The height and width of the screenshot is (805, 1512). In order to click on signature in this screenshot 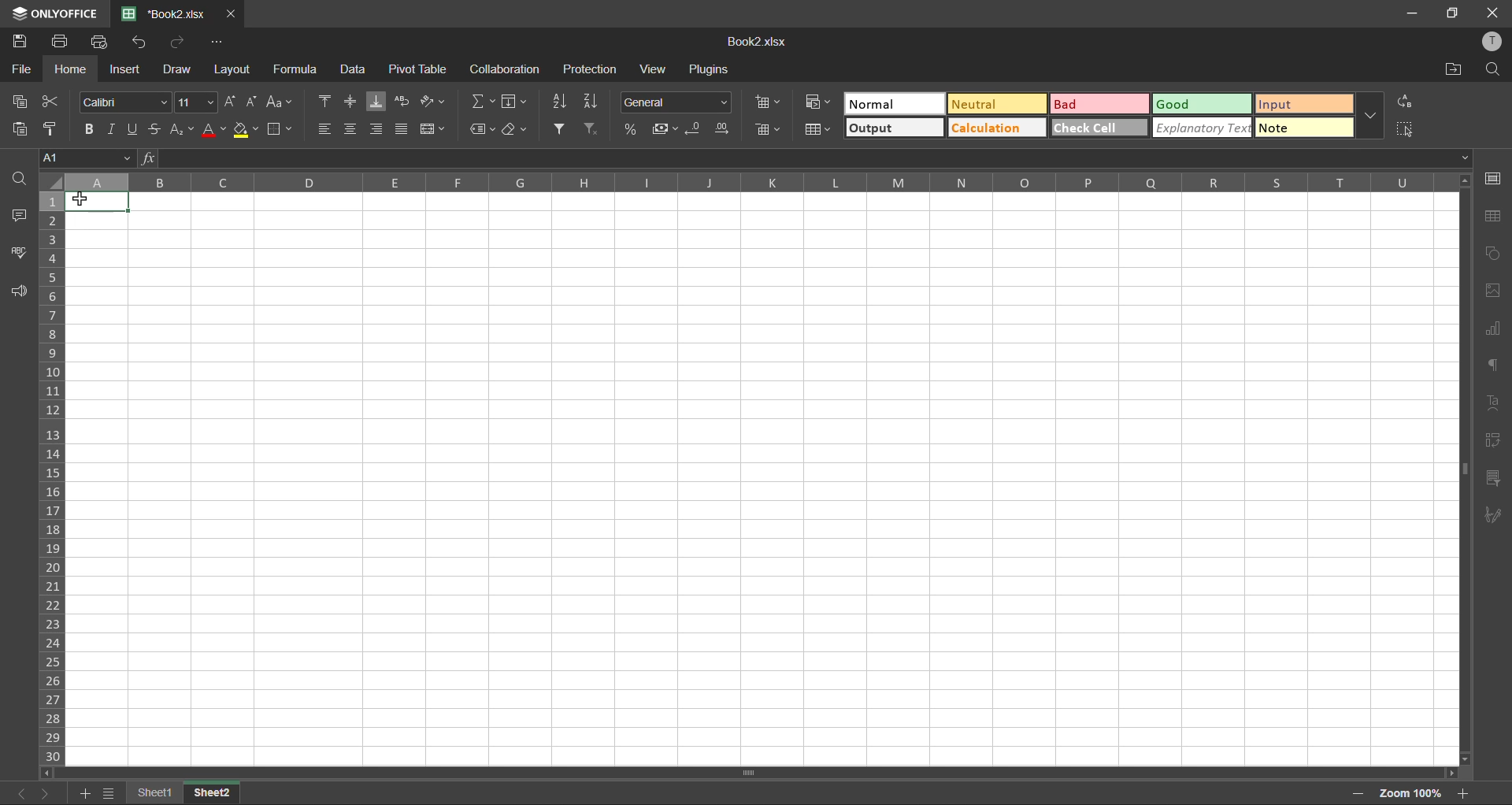, I will do `click(1490, 517)`.